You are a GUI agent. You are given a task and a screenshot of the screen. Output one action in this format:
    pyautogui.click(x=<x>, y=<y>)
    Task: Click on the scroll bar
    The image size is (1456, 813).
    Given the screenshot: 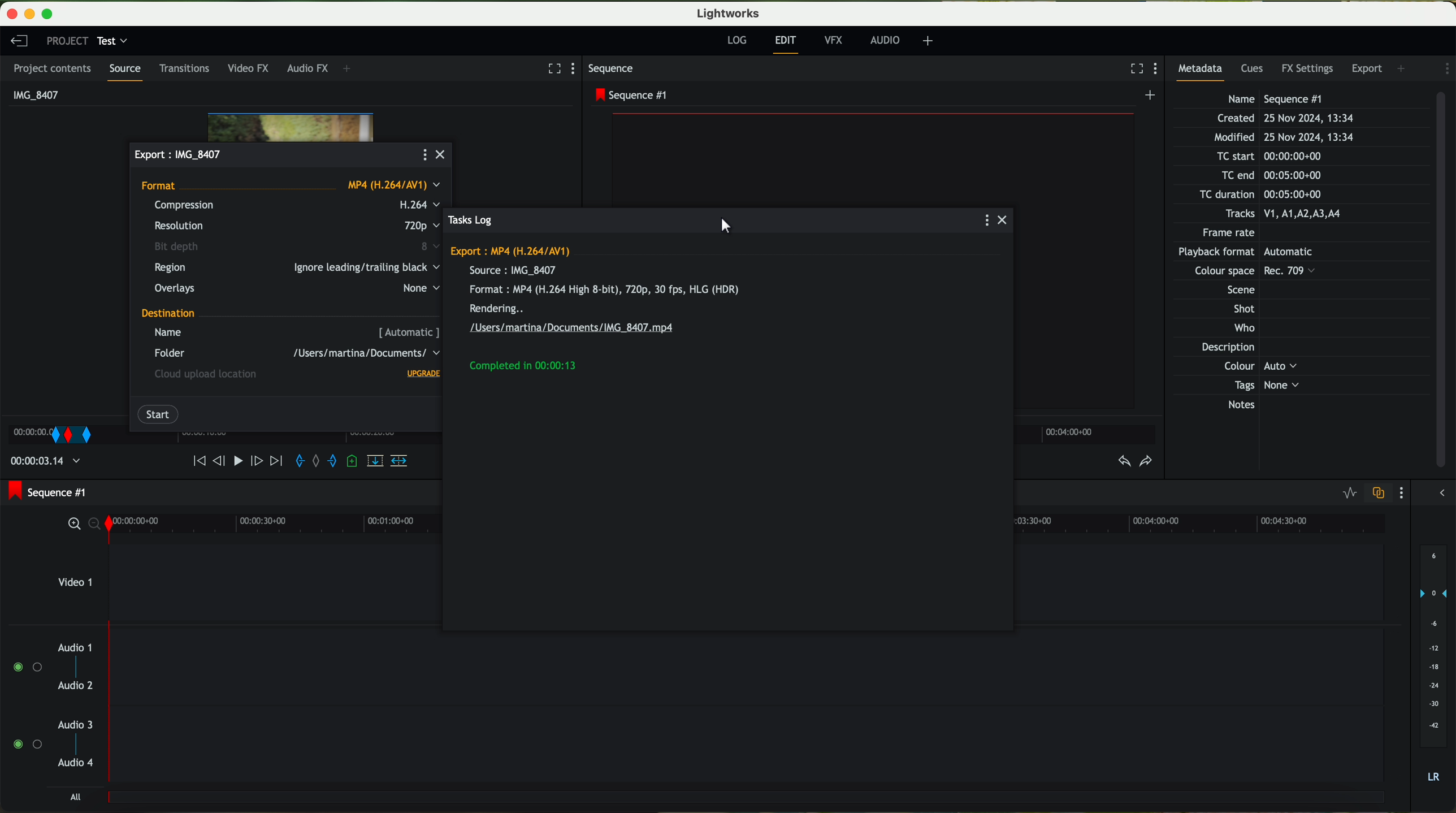 What is the action you would take?
    pyautogui.click(x=1446, y=281)
    